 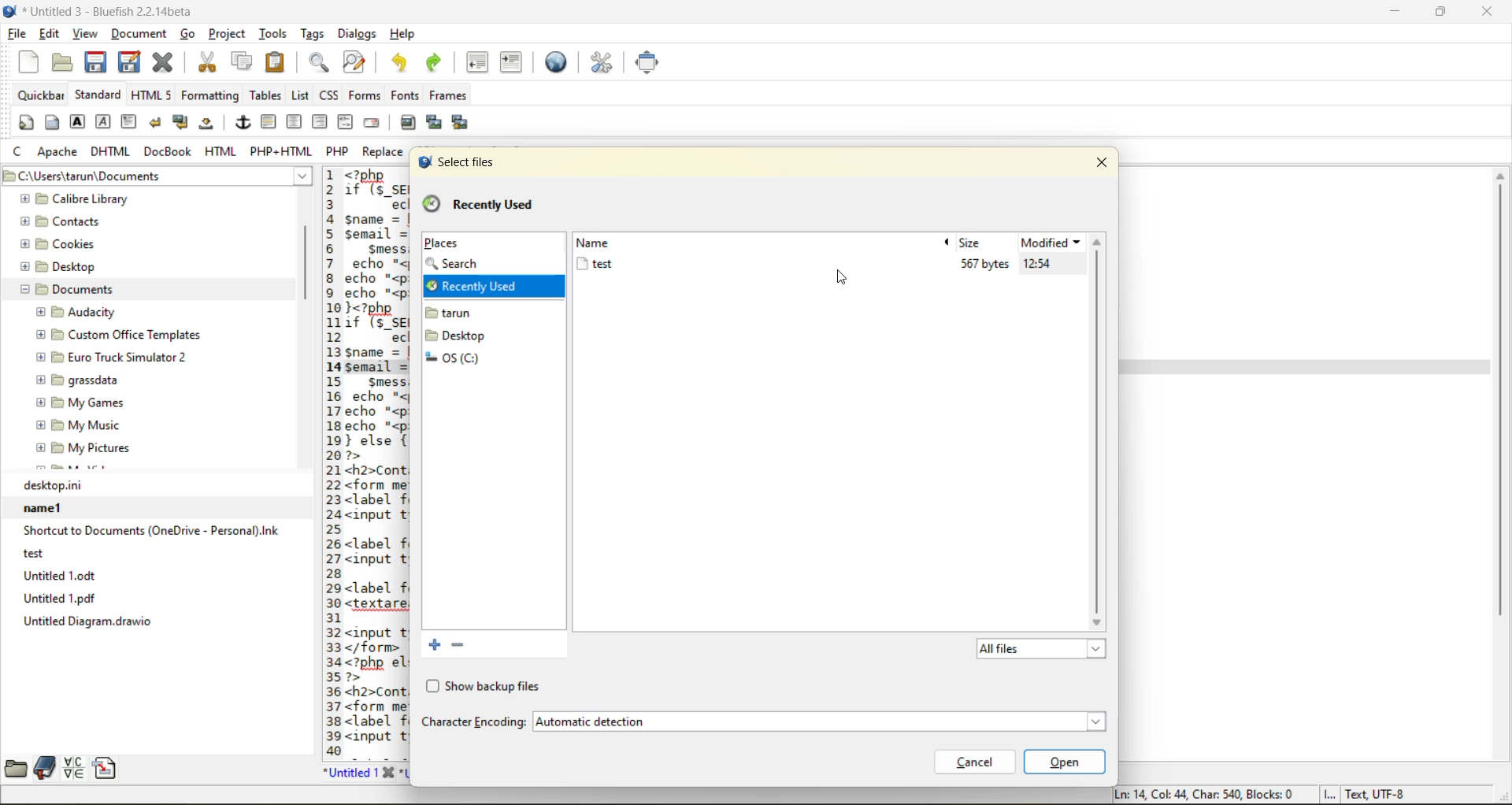 What do you see at coordinates (282, 154) in the screenshot?
I see `php + html` at bounding box center [282, 154].